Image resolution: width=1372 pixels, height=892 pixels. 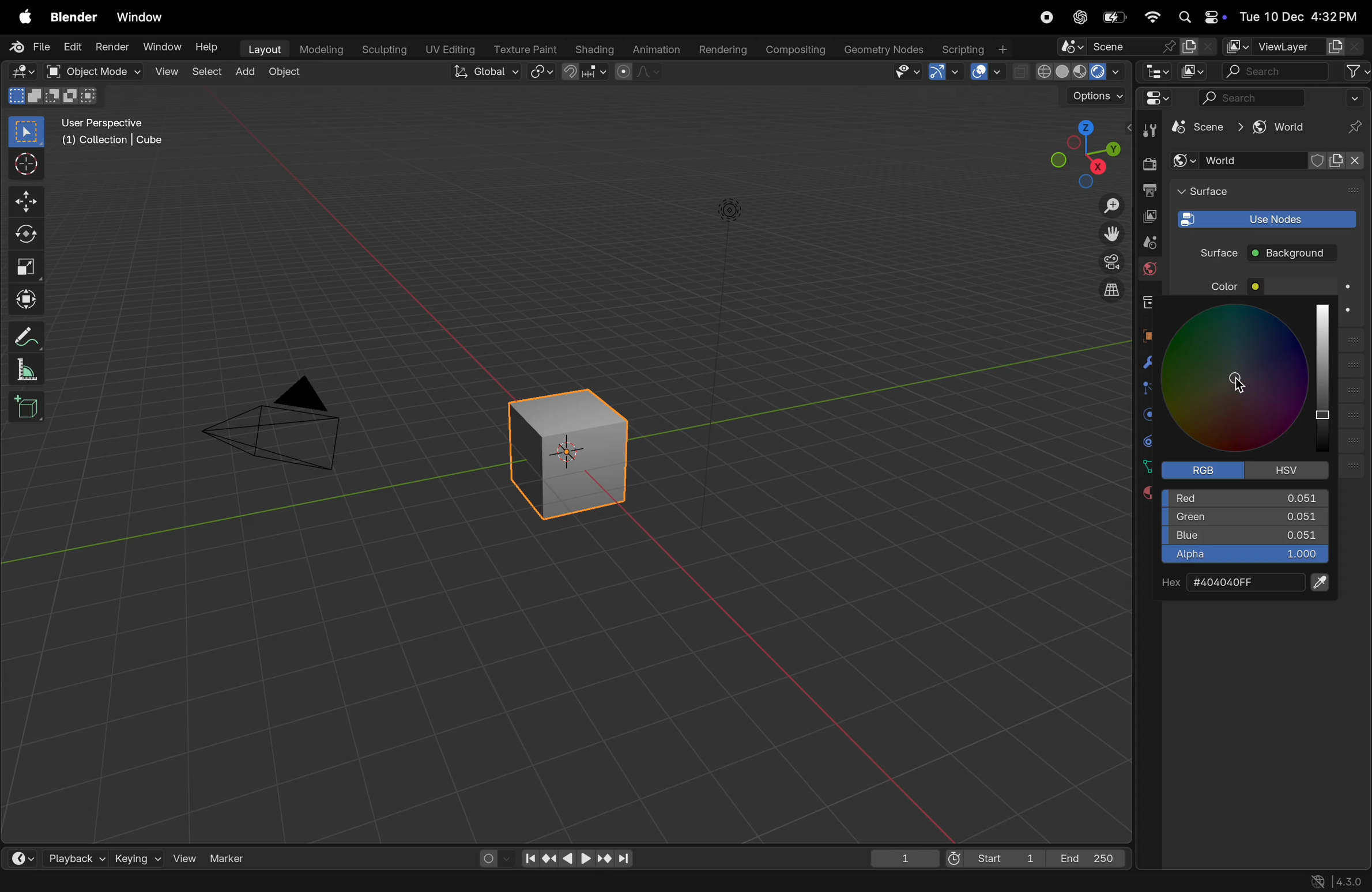 What do you see at coordinates (1050, 19) in the screenshot?
I see `record` at bounding box center [1050, 19].